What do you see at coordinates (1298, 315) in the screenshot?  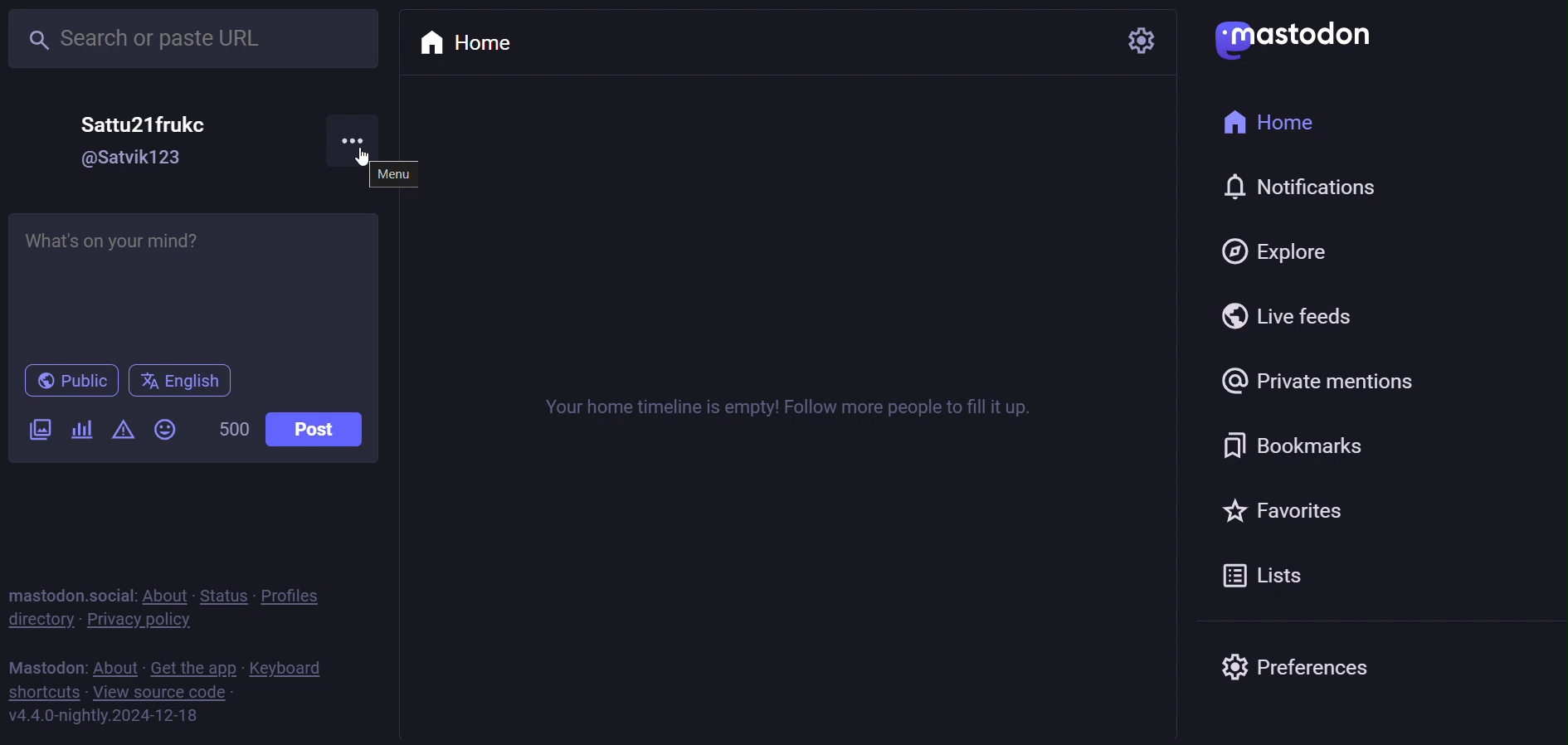 I see `live feeds` at bounding box center [1298, 315].